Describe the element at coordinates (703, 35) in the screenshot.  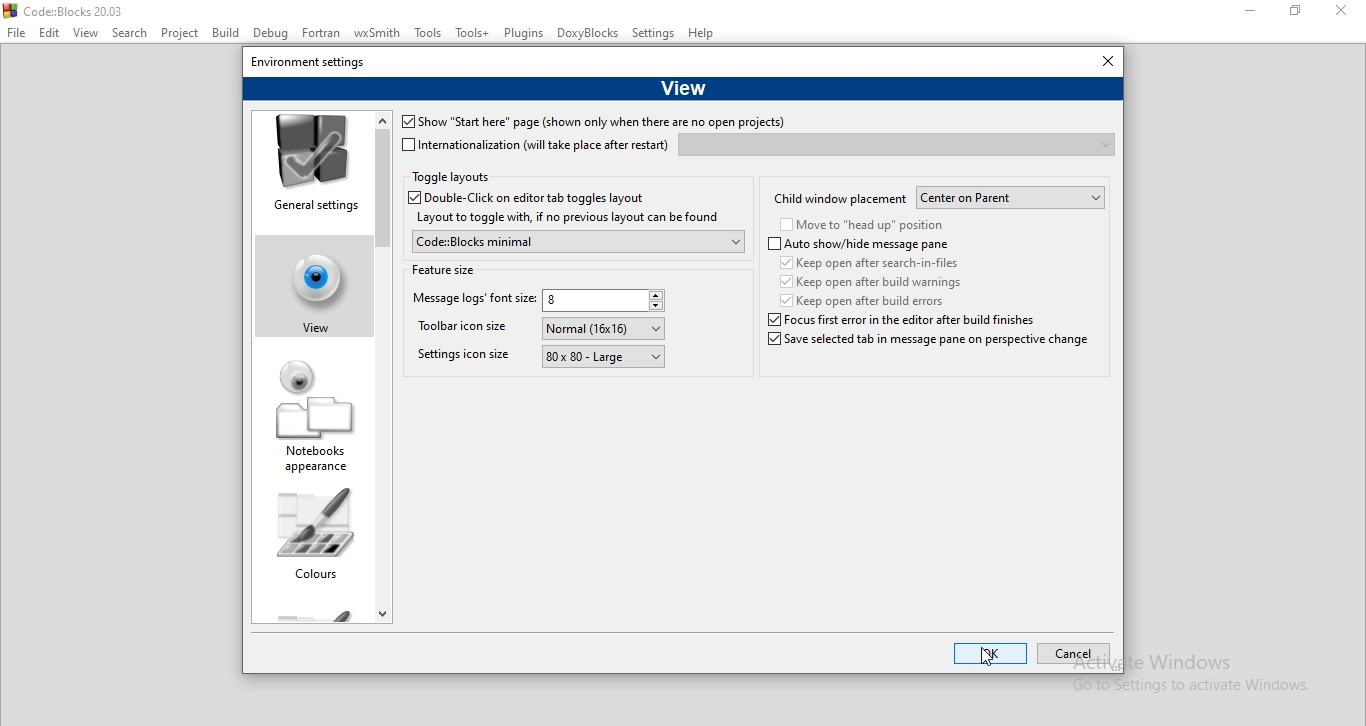
I see `Help` at that location.